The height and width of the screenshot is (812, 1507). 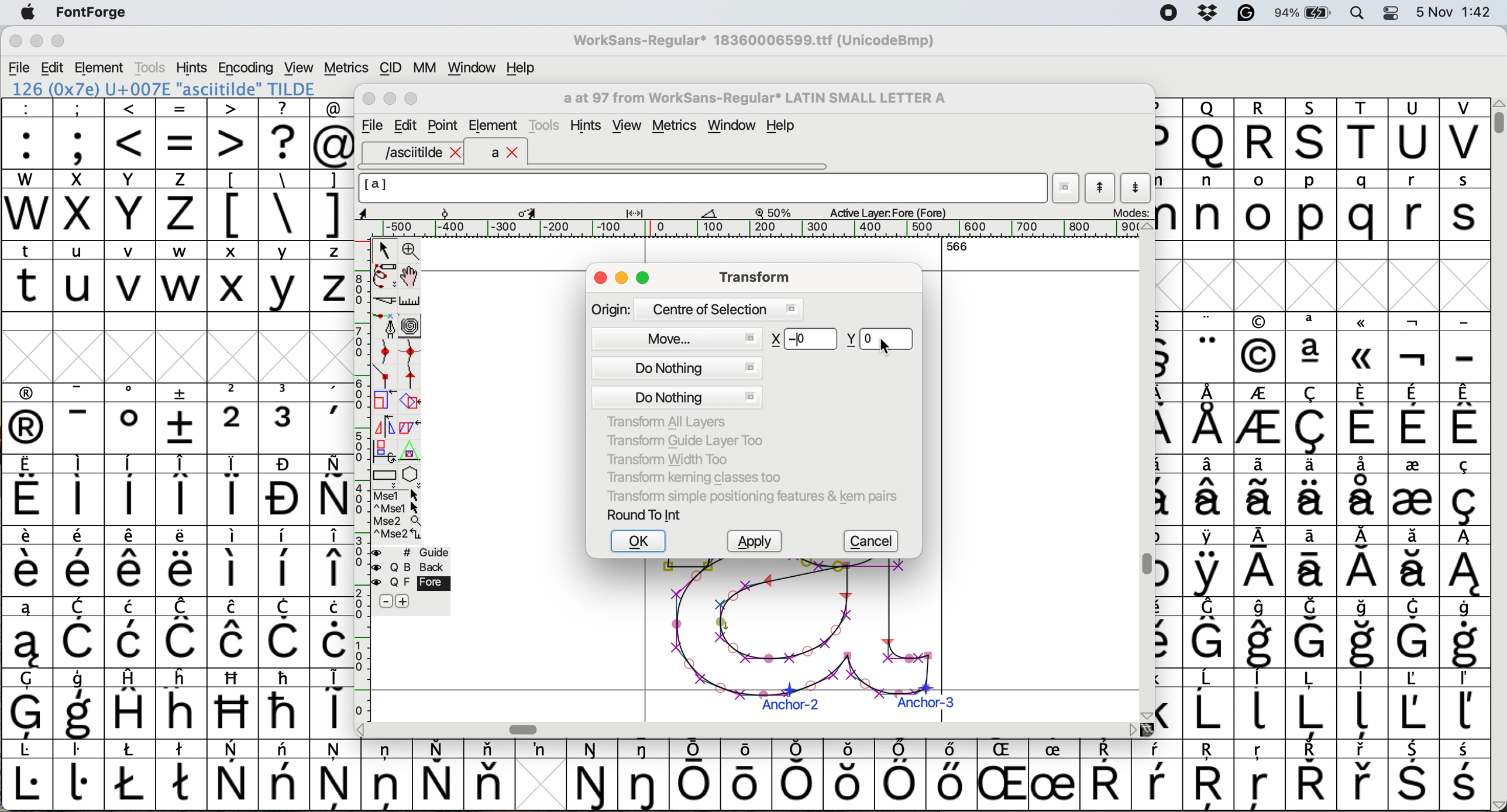 What do you see at coordinates (183, 418) in the screenshot?
I see `symbol` at bounding box center [183, 418].